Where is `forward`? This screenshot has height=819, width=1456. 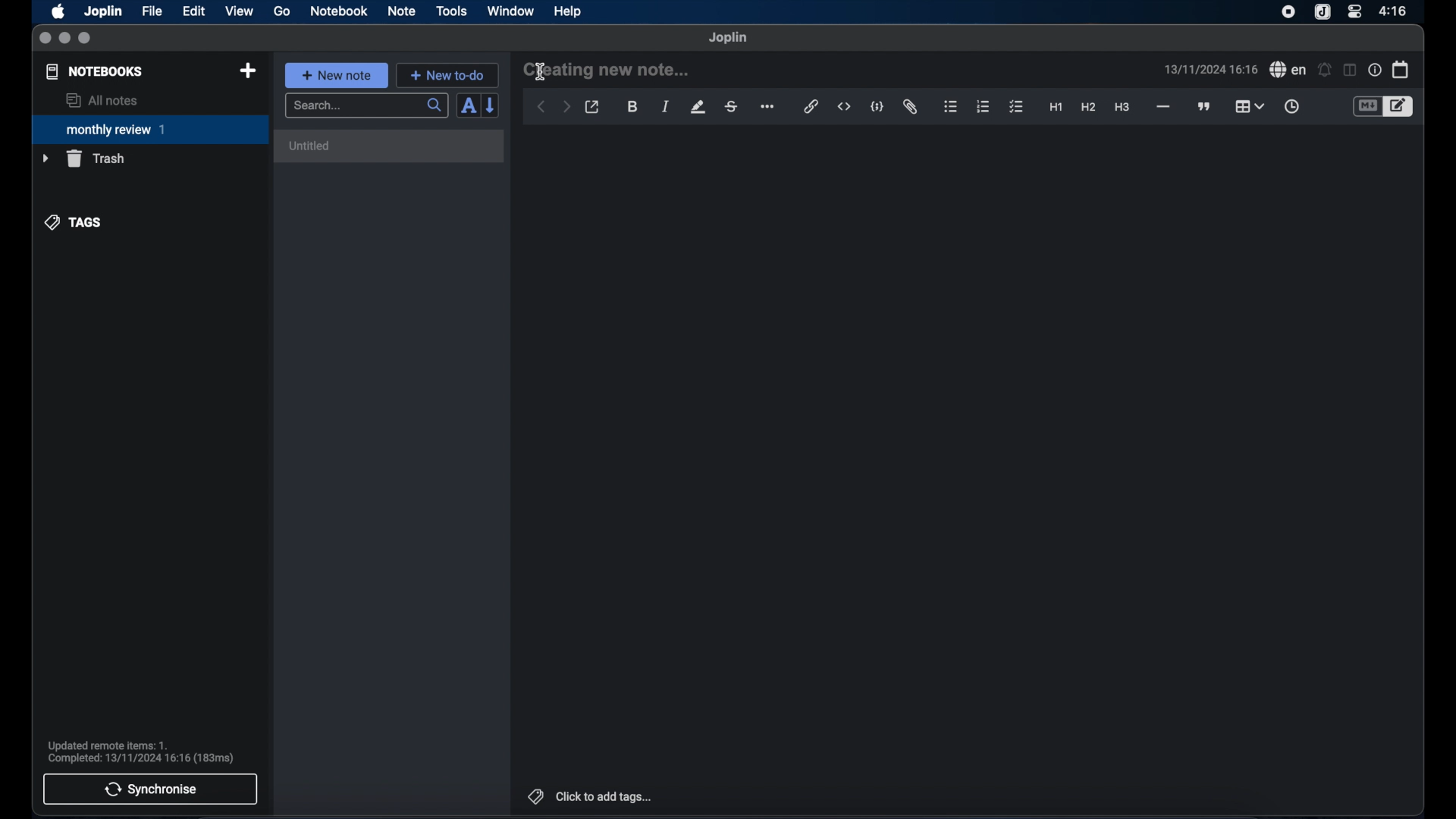 forward is located at coordinates (566, 108).